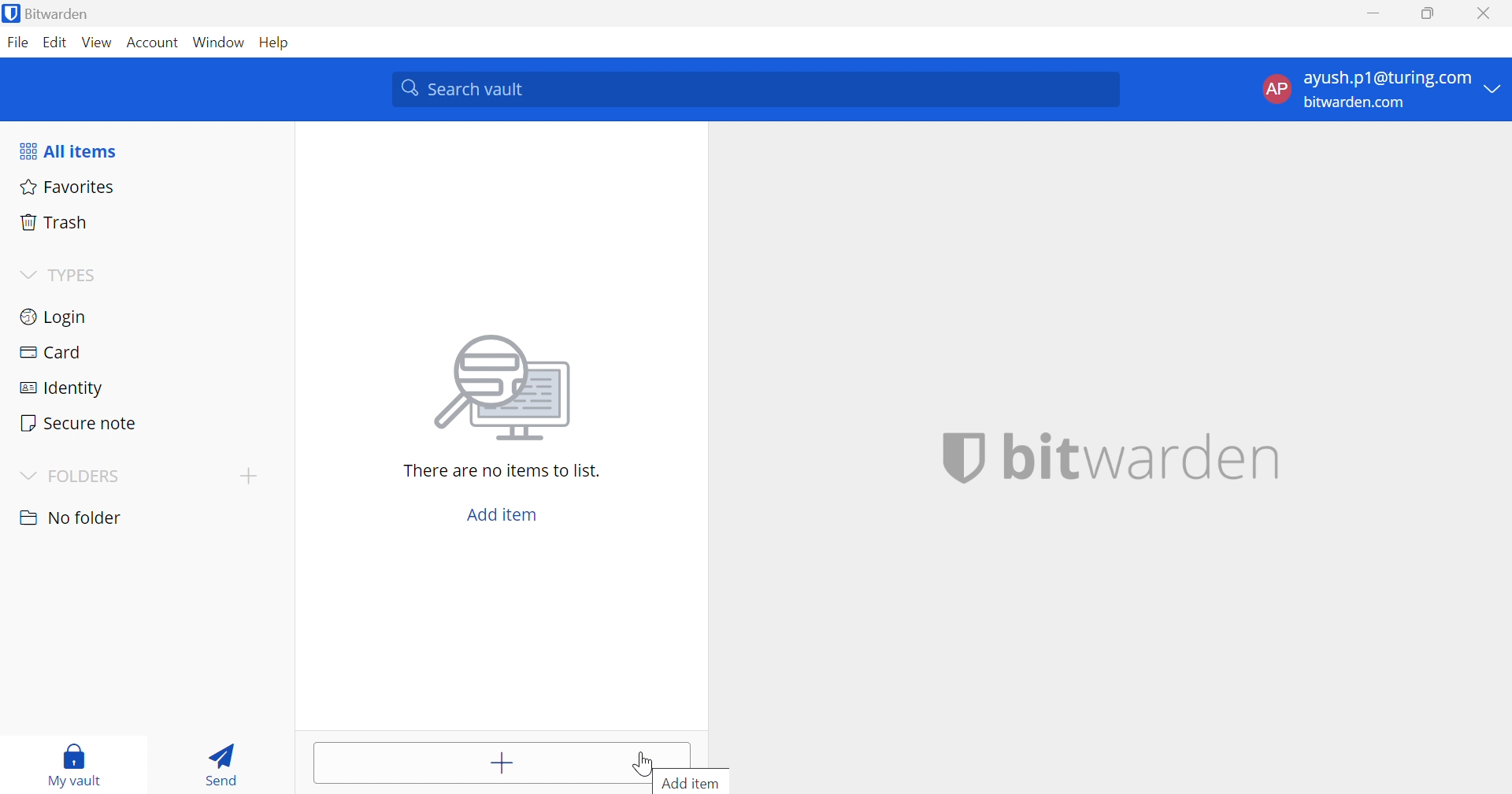 The image size is (1512, 794). Describe the element at coordinates (1497, 89) in the screenshot. I see `Drop Down` at that location.